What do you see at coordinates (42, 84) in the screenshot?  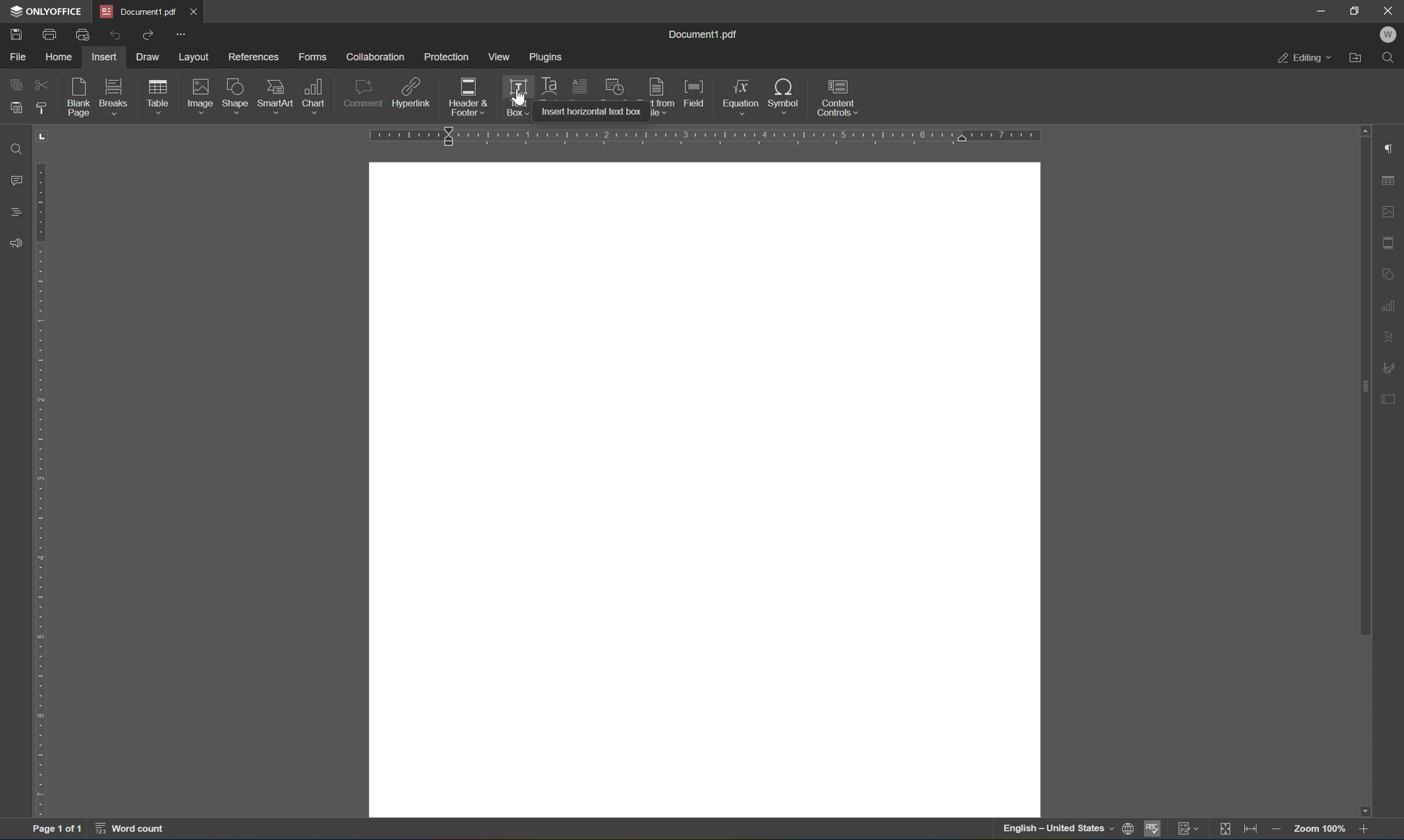 I see `cut` at bounding box center [42, 84].